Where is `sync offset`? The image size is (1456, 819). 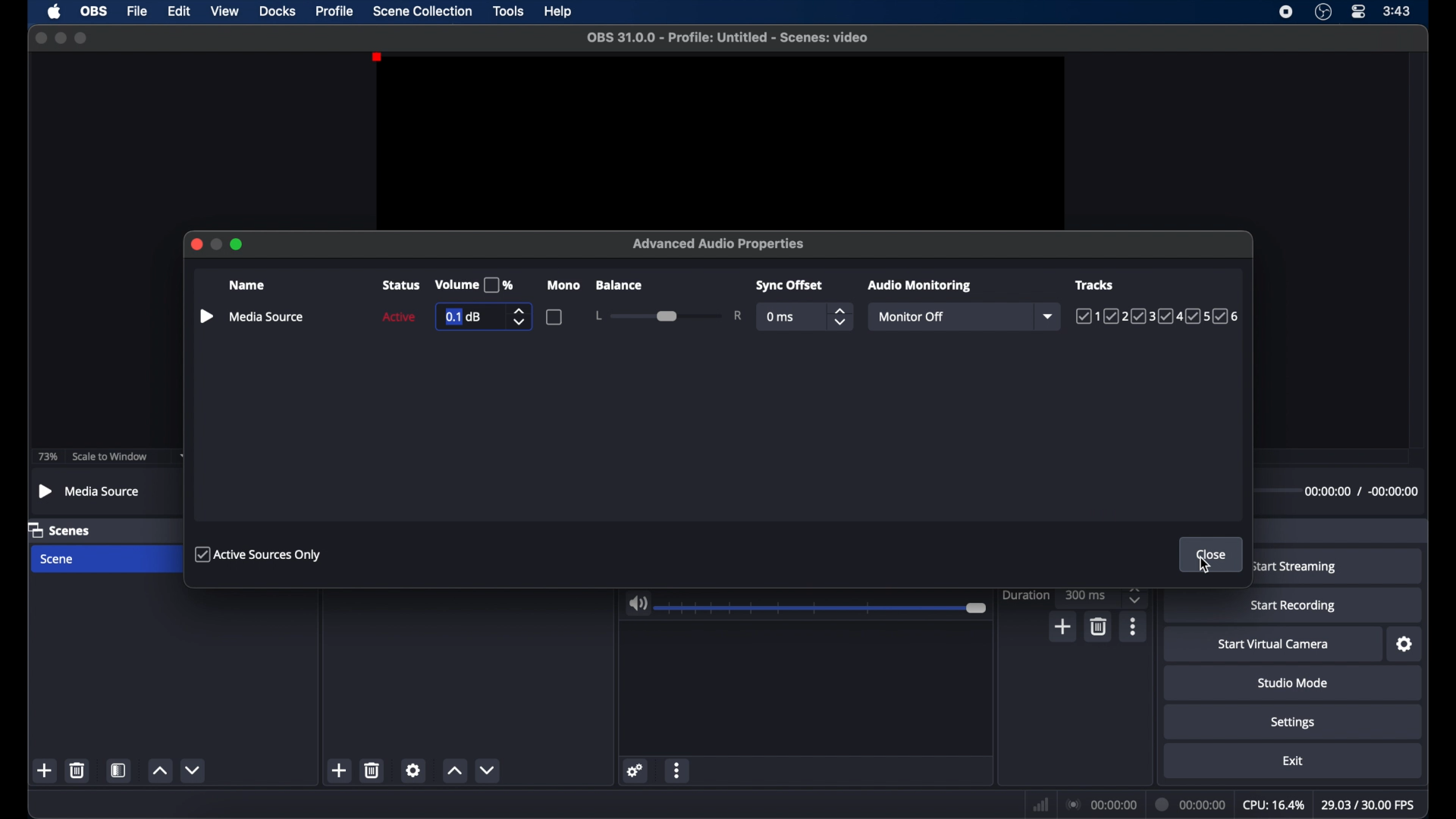 sync offset is located at coordinates (788, 285).